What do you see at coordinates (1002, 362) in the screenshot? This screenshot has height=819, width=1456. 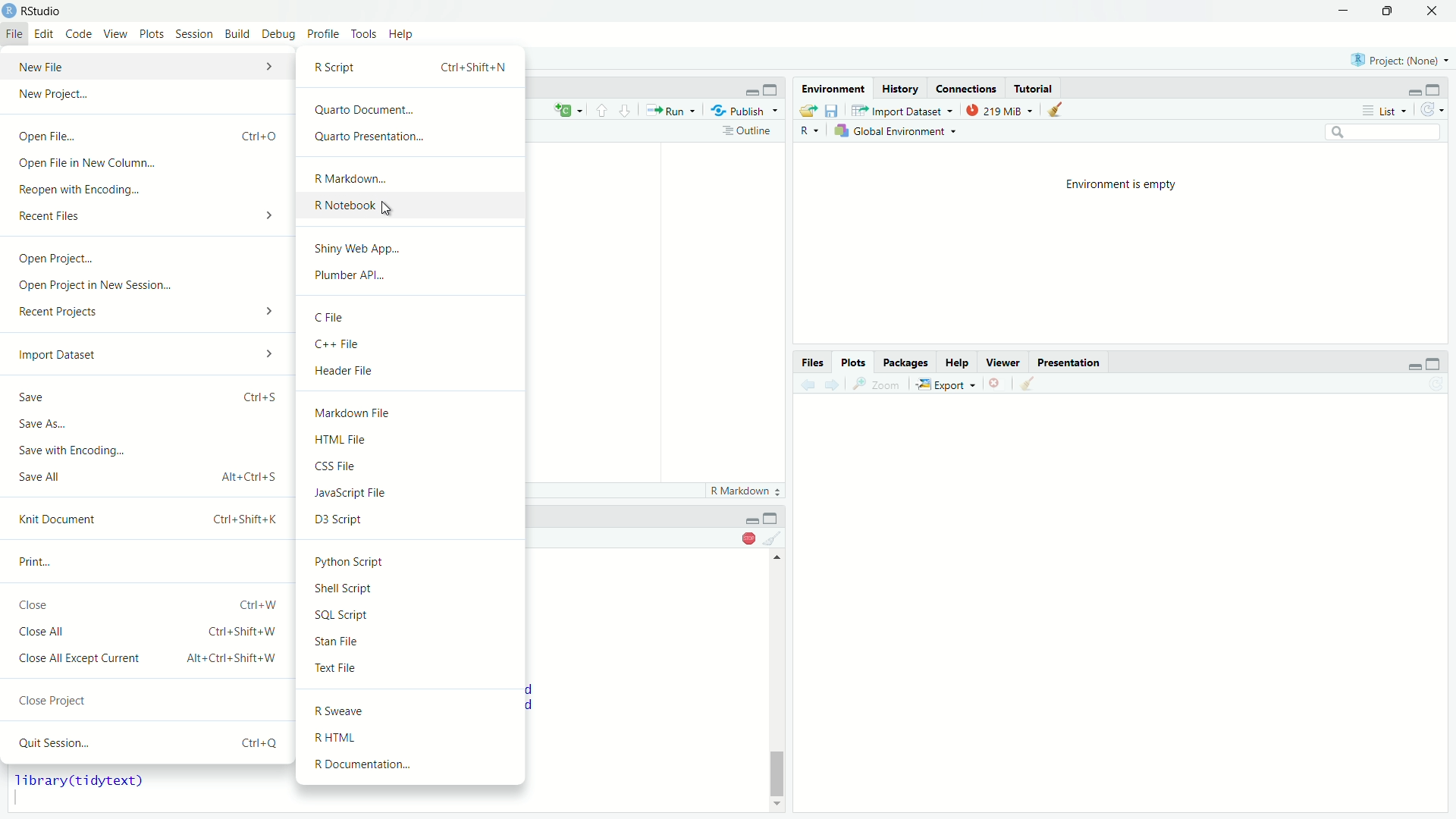 I see `Viewer` at bounding box center [1002, 362].